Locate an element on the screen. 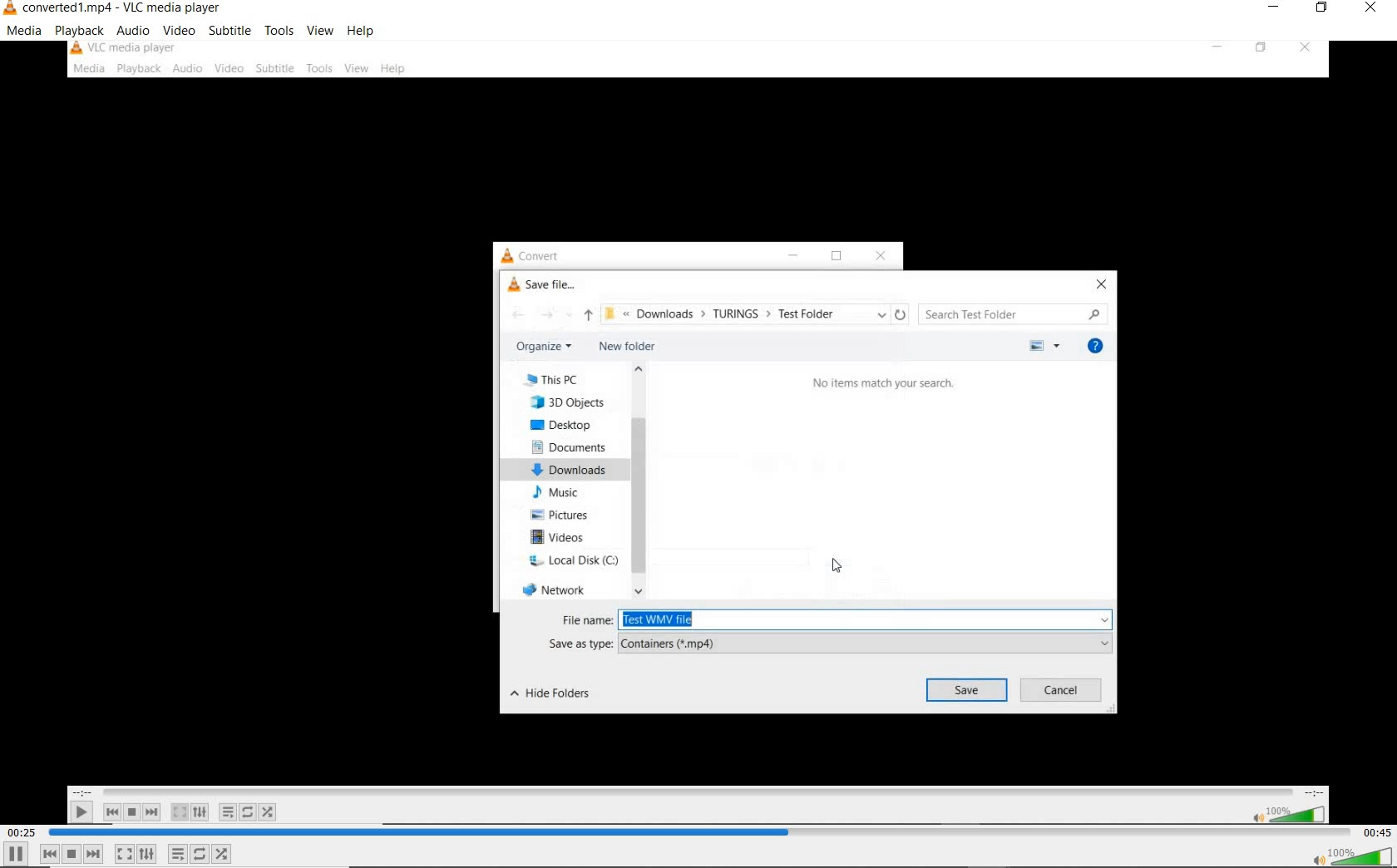  video is located at coordinates (178, 31).